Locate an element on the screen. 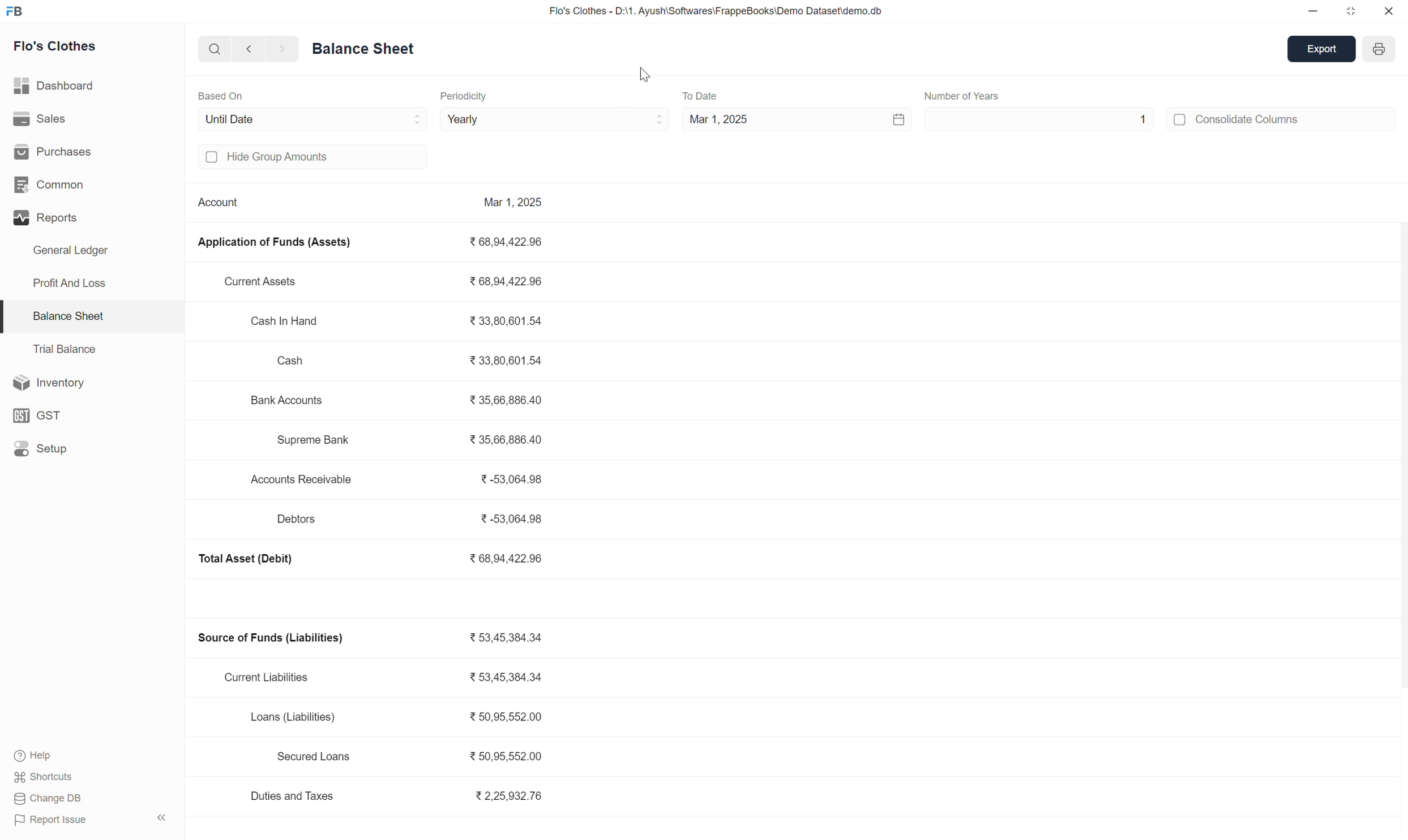 The image size is (1408, 840). 1 is located at coordinates (1145, 120).